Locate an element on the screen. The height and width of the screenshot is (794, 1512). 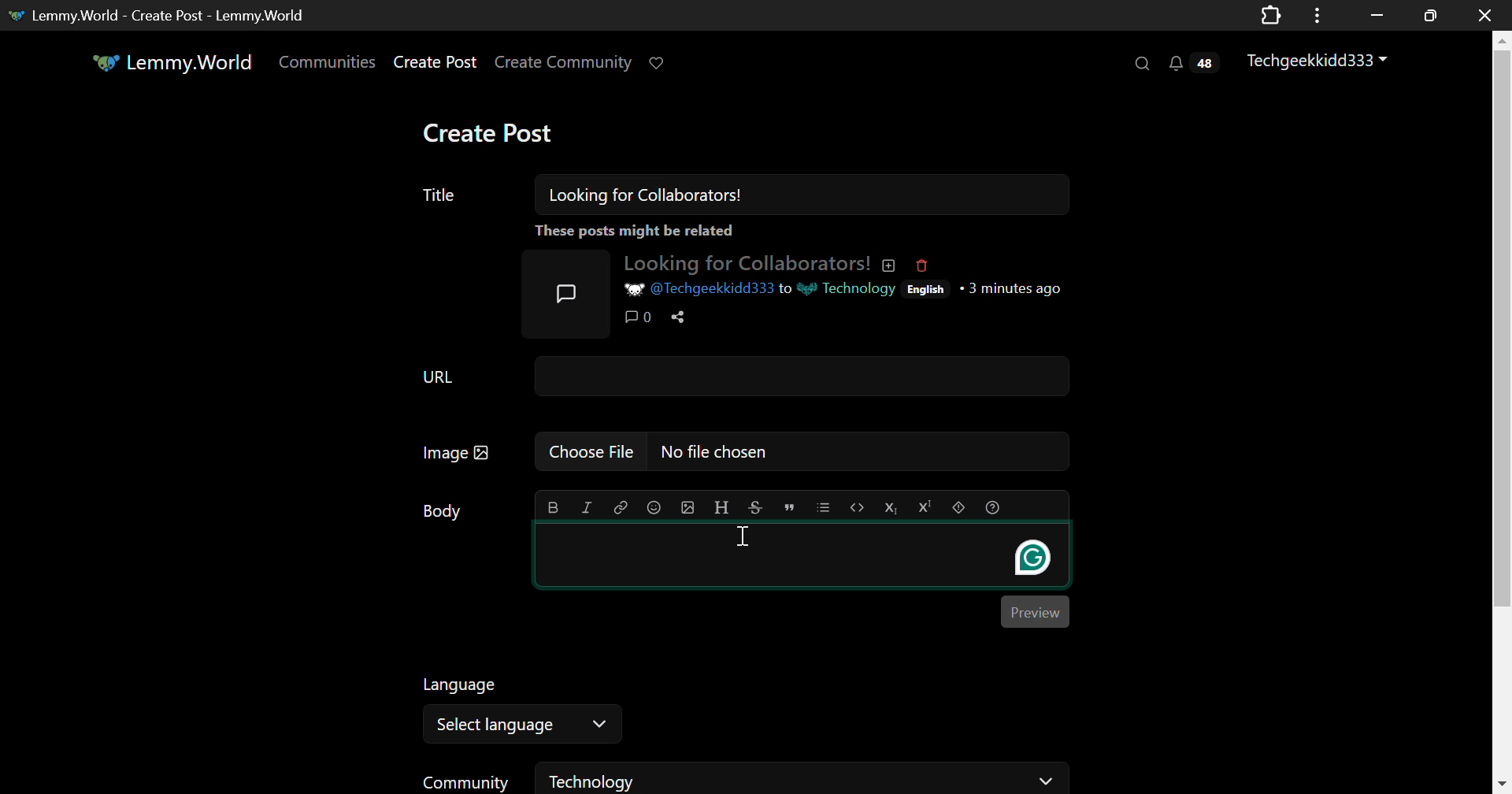
Create Post is located at coordinates (438, 62).